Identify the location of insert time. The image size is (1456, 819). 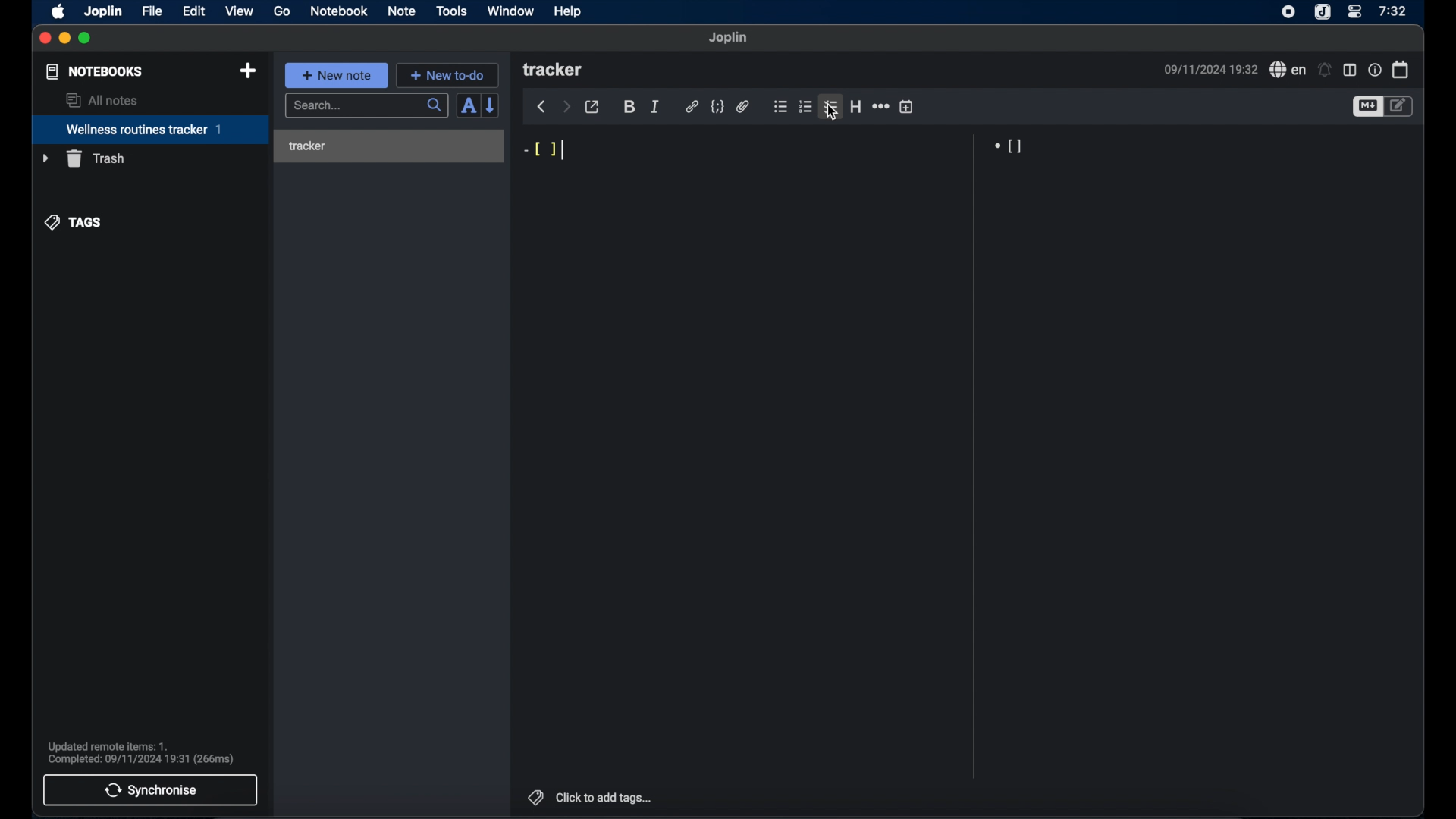
(906, 106).